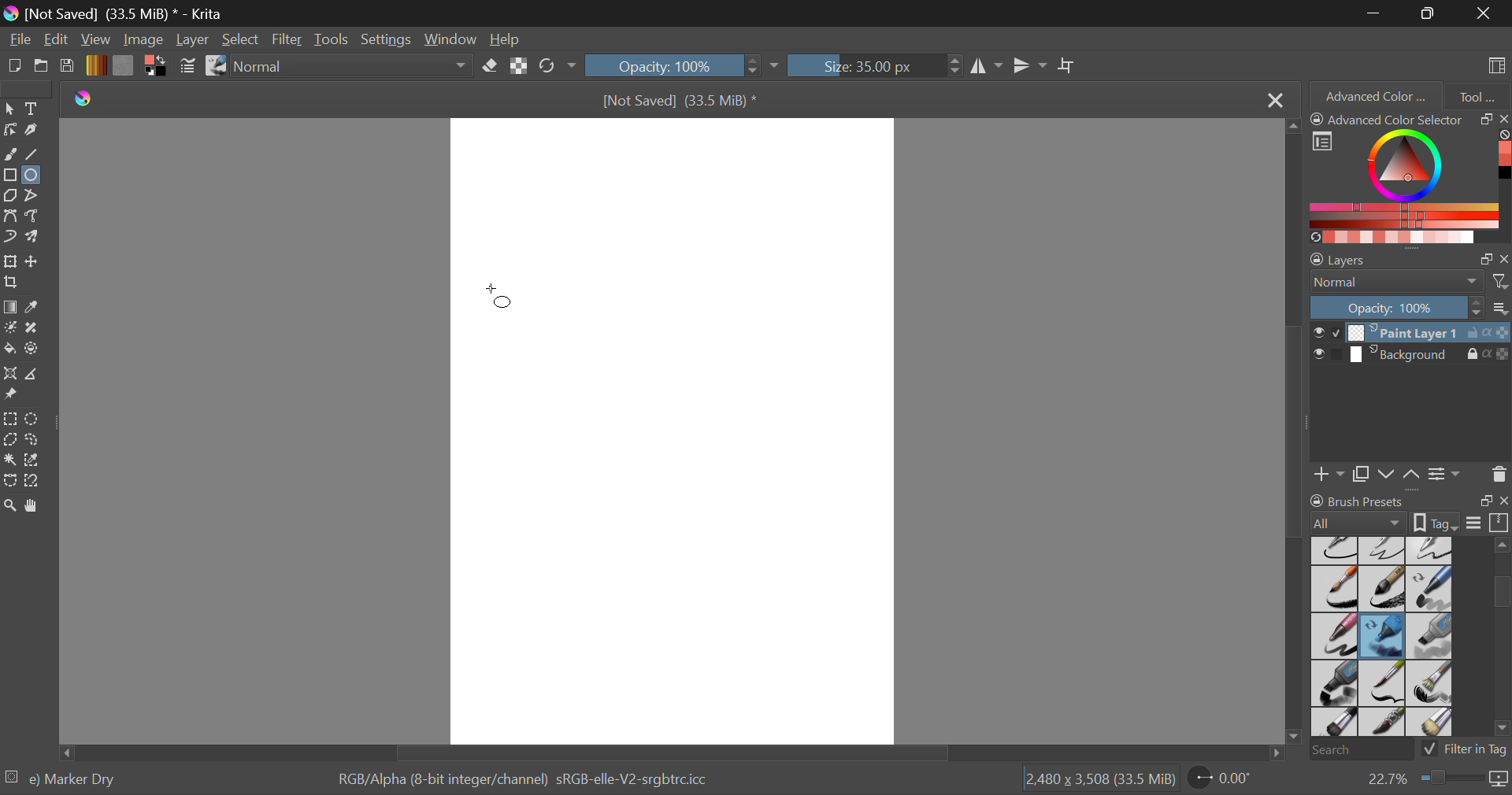  What do you see at coordinates (551, 67) in the screenshot?
I see `Refresh` at bounding box center [551, 67].